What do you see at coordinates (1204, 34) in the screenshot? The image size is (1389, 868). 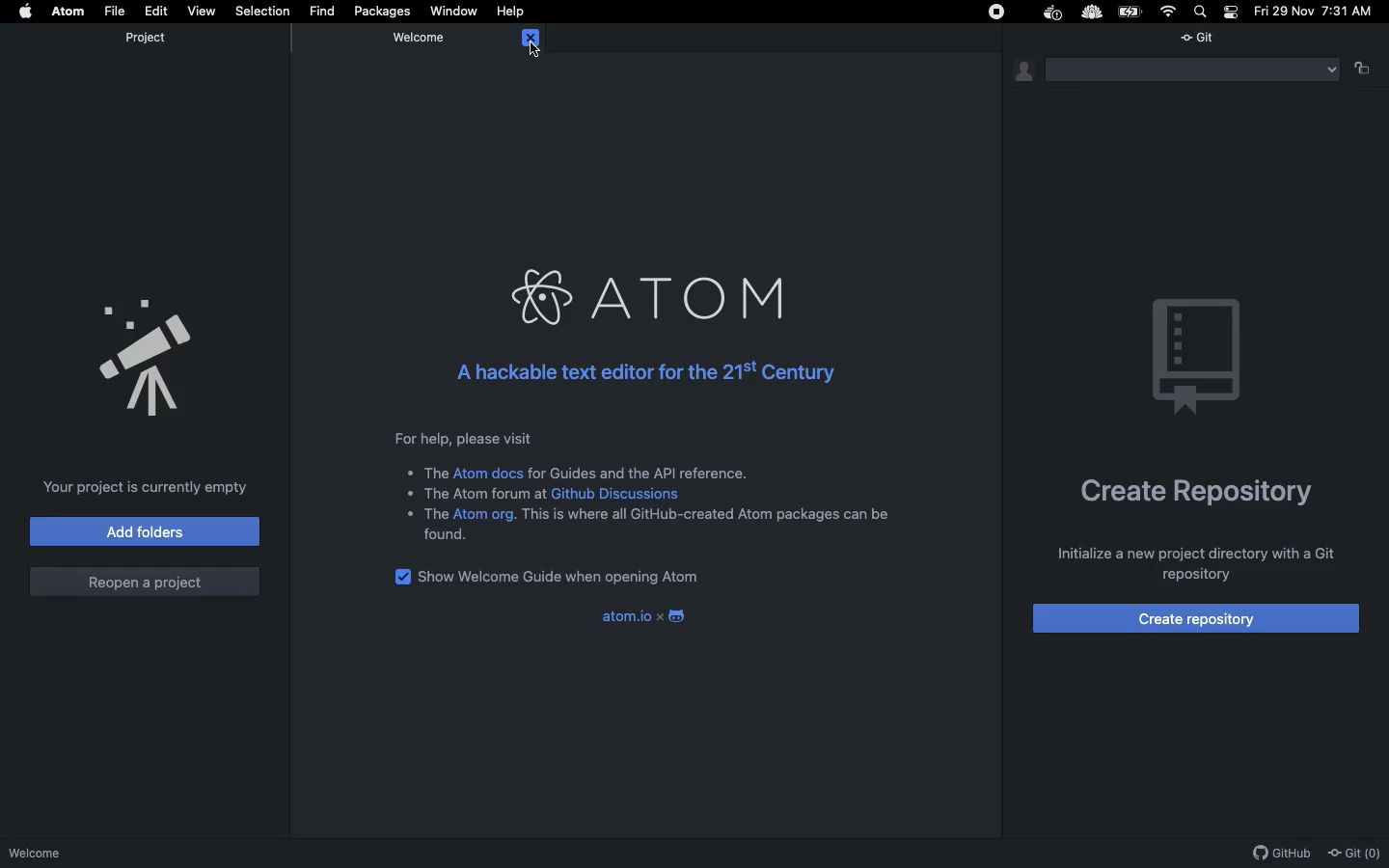 I see `Git` at bounding box center [1204, 34].